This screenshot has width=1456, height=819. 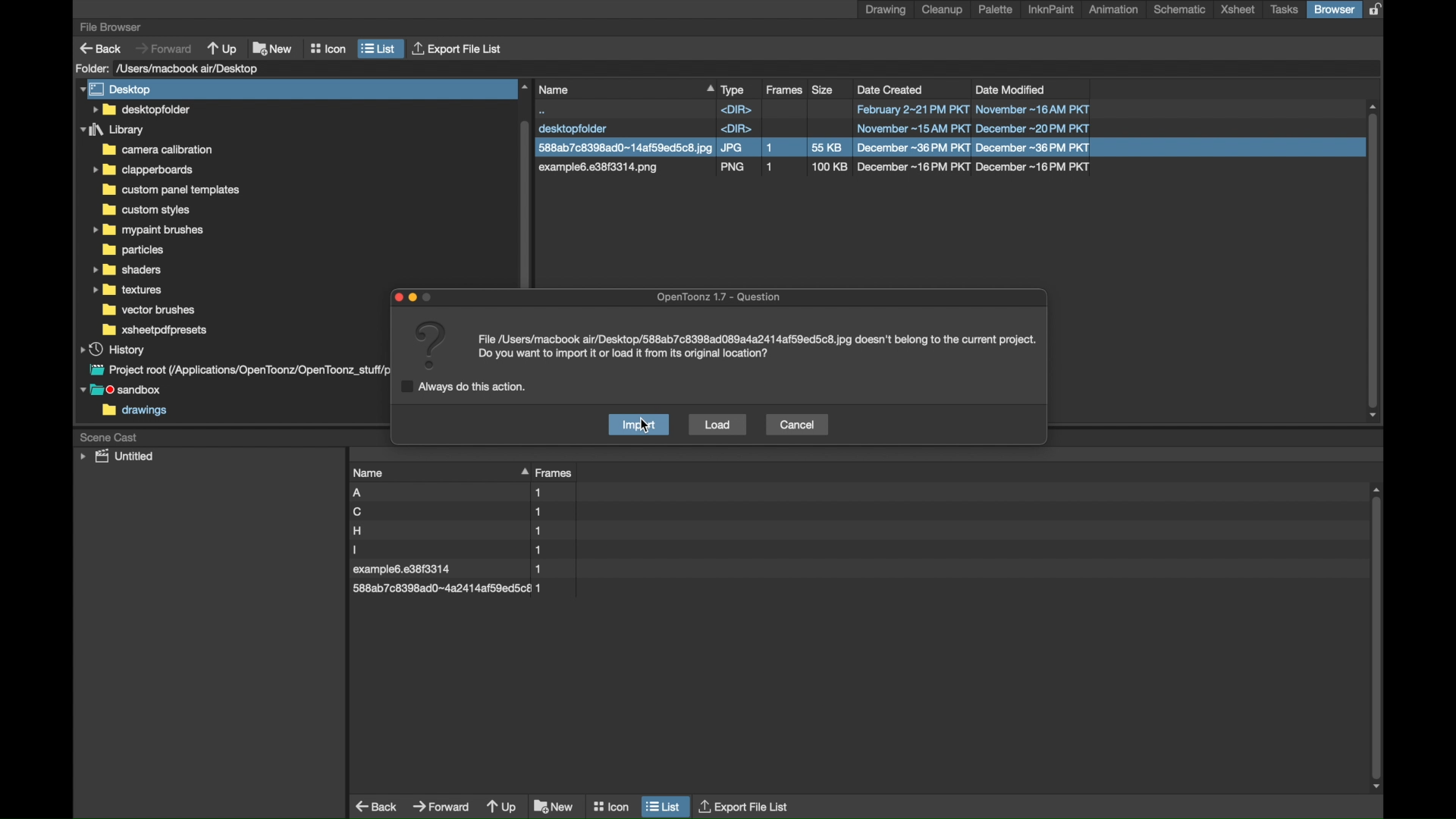 I want to click on drag handle, so click(x=522, y=470).